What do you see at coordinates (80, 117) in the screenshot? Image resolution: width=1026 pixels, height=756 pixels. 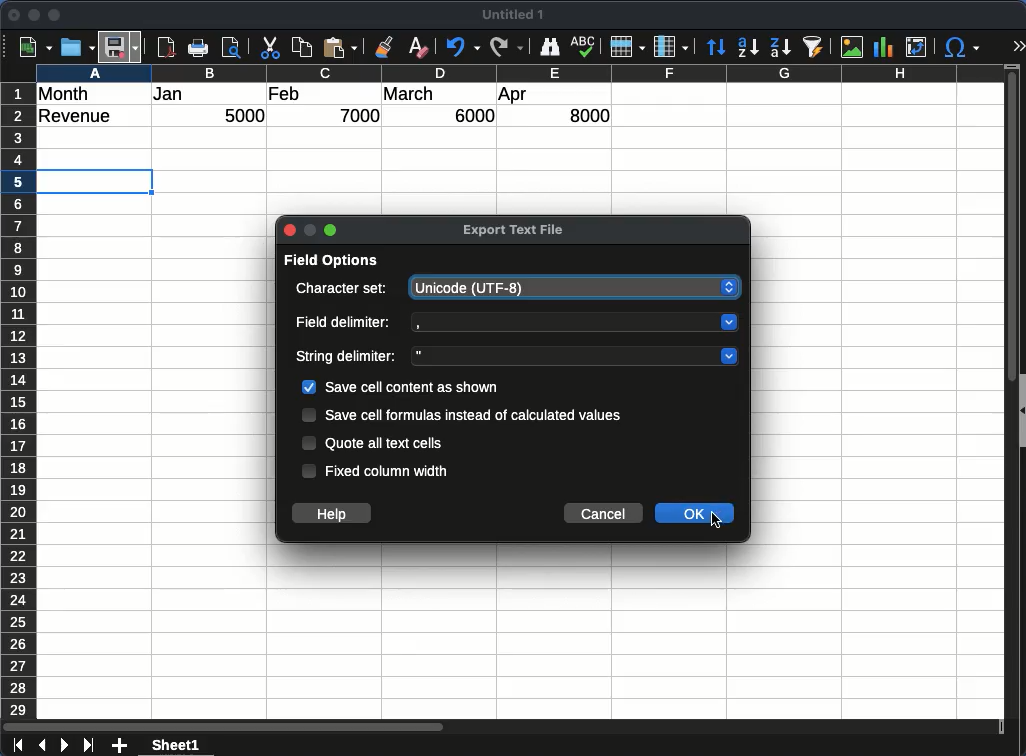 I see `revenue` at bounding box center [80, 117].